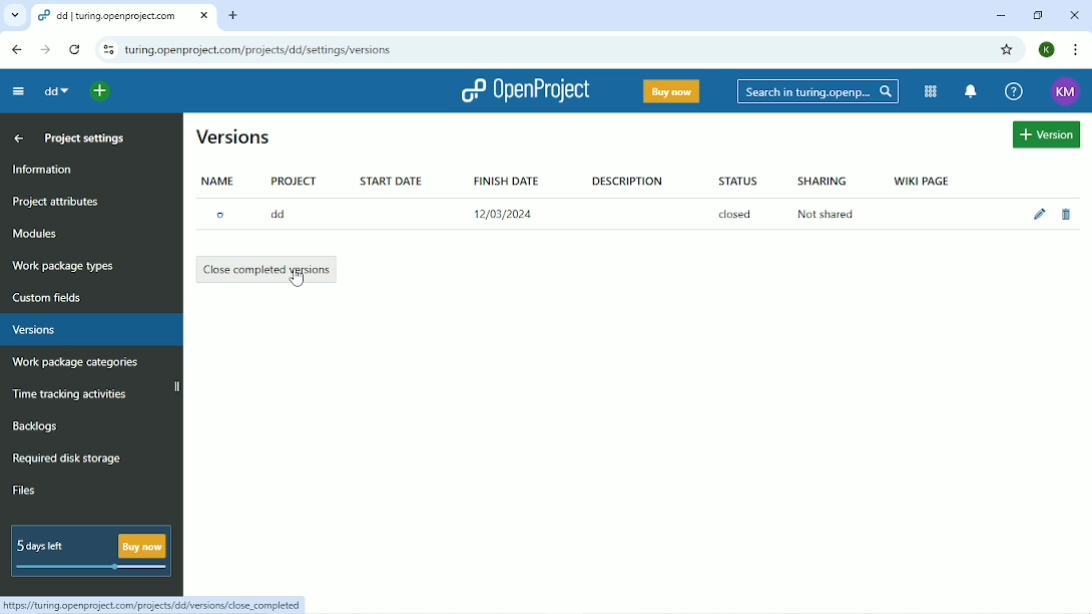 This screenshot has height=614, width=1092. I want to click on reload, so click(105, 50).